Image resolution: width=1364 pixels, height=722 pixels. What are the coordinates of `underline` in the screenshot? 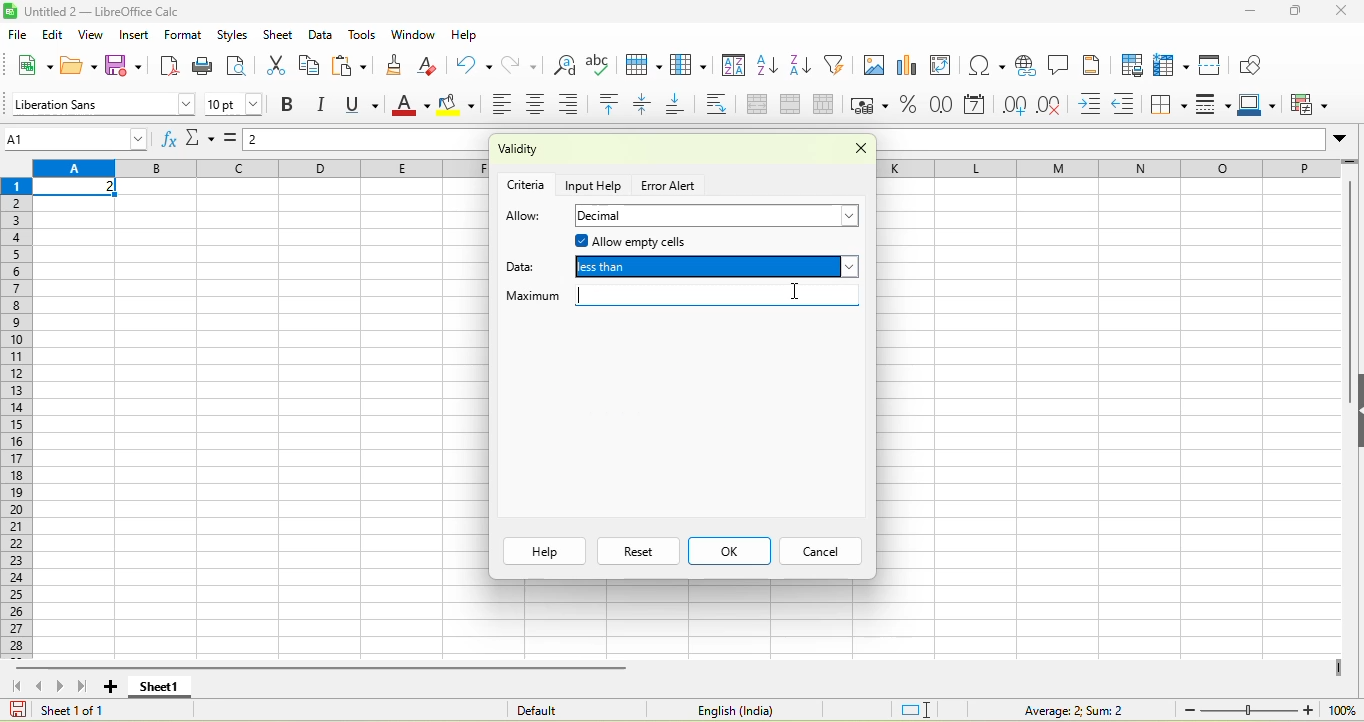 It's located at (366, 105).